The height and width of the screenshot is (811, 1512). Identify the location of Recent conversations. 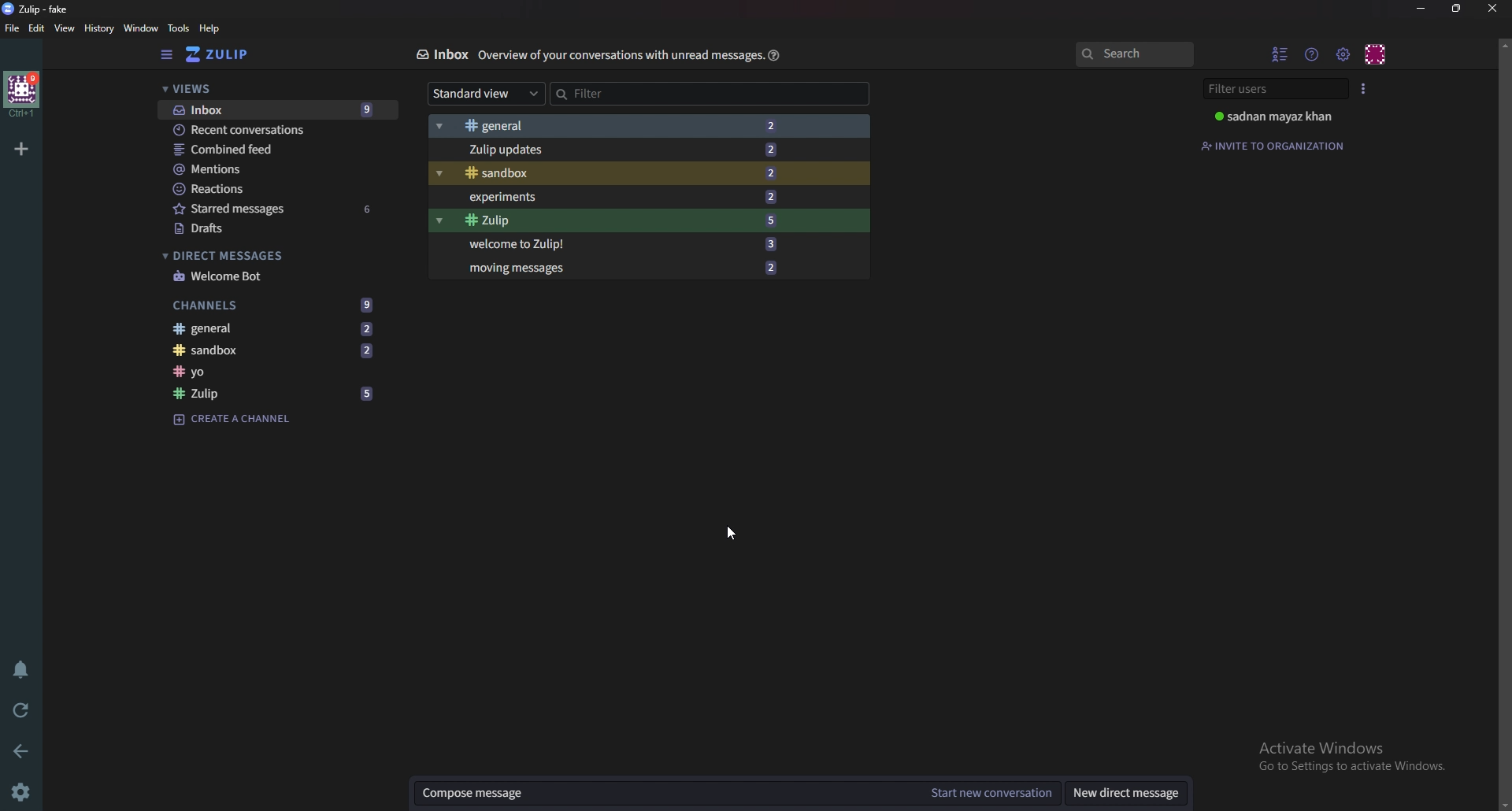
(282, 128).